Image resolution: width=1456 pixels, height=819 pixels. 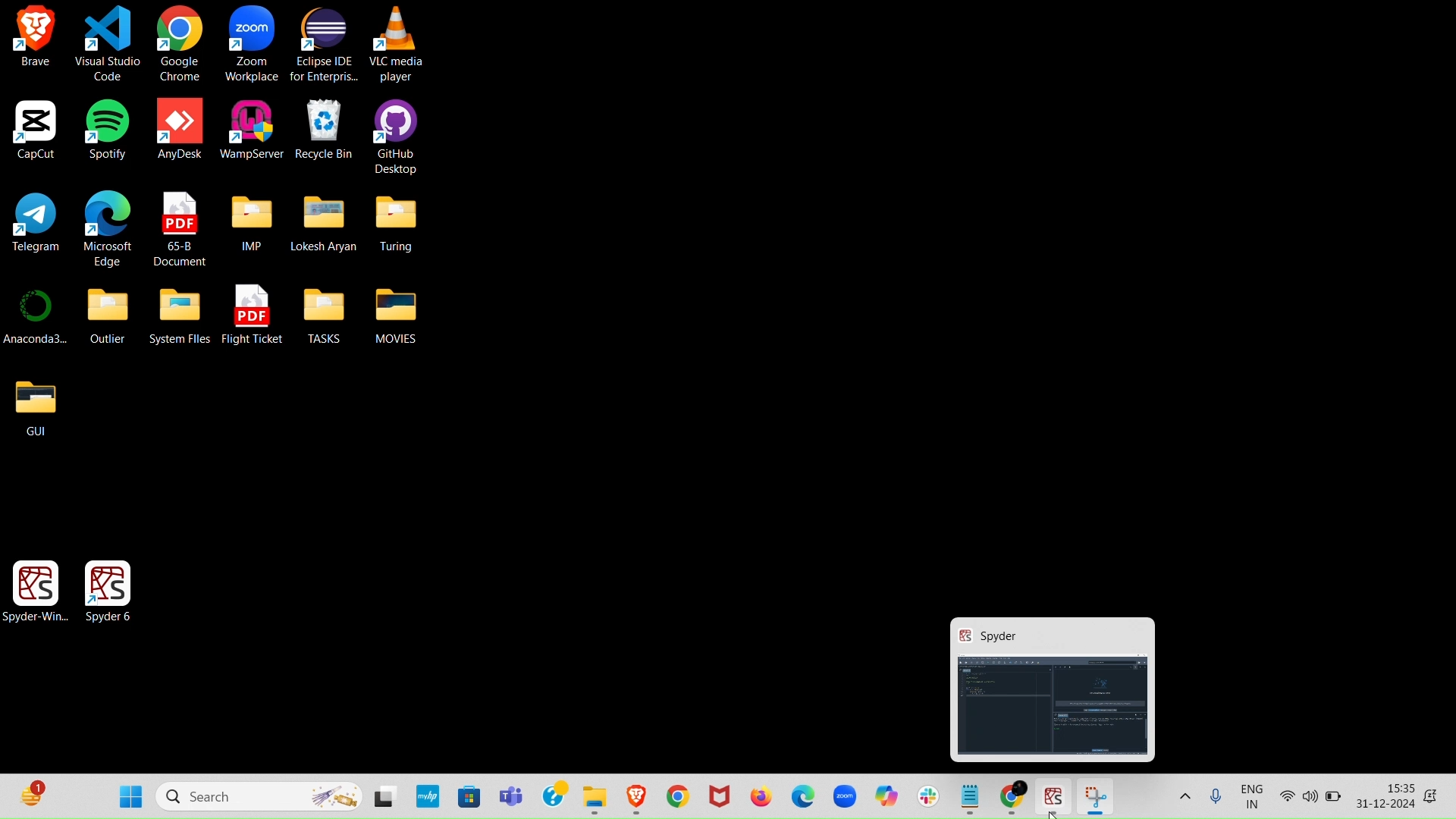 I want to click on Microsoft Edge, so click(x=109, y=228).